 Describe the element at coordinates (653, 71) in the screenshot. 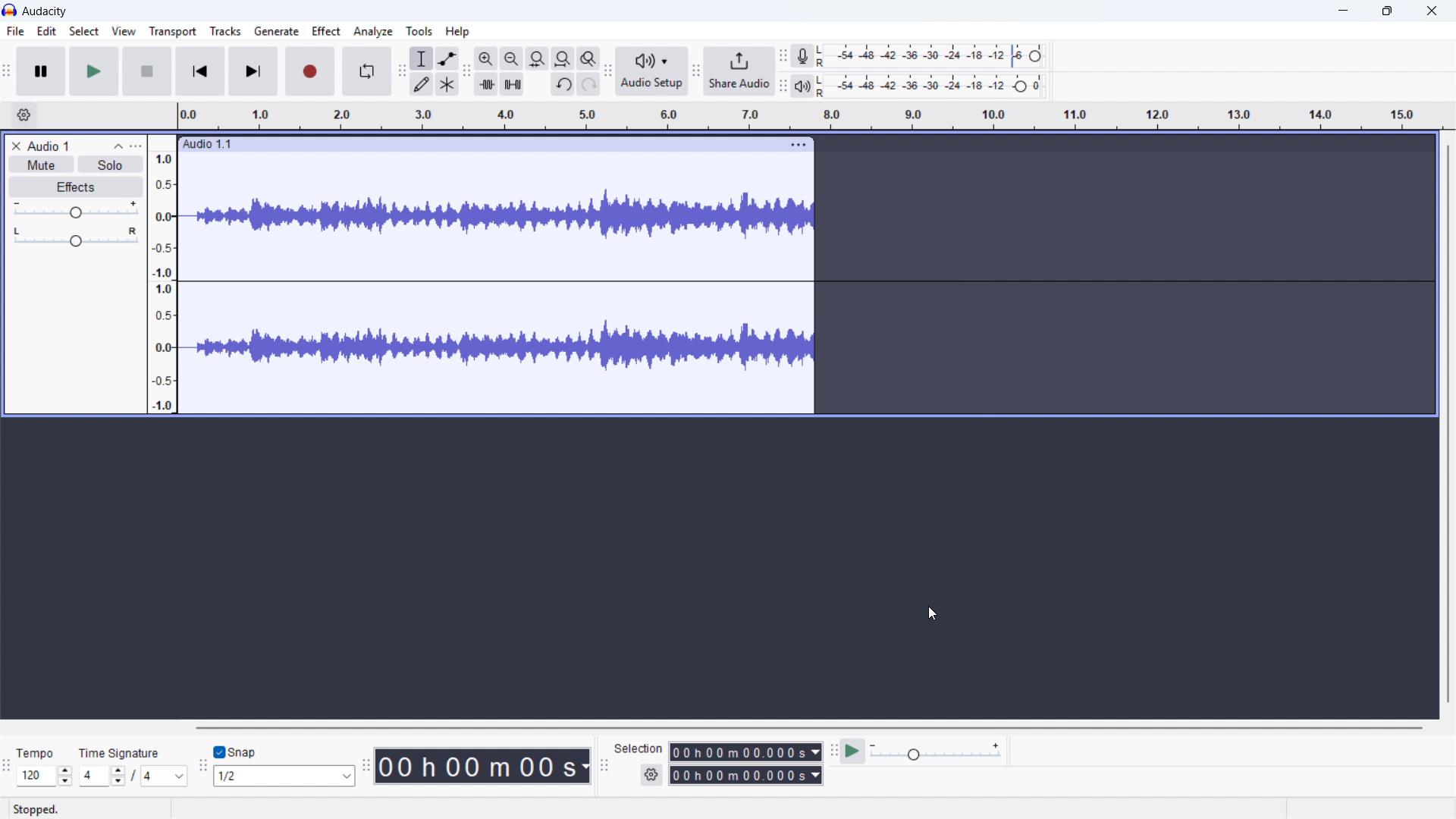

I see `Audio setup ` at that location.